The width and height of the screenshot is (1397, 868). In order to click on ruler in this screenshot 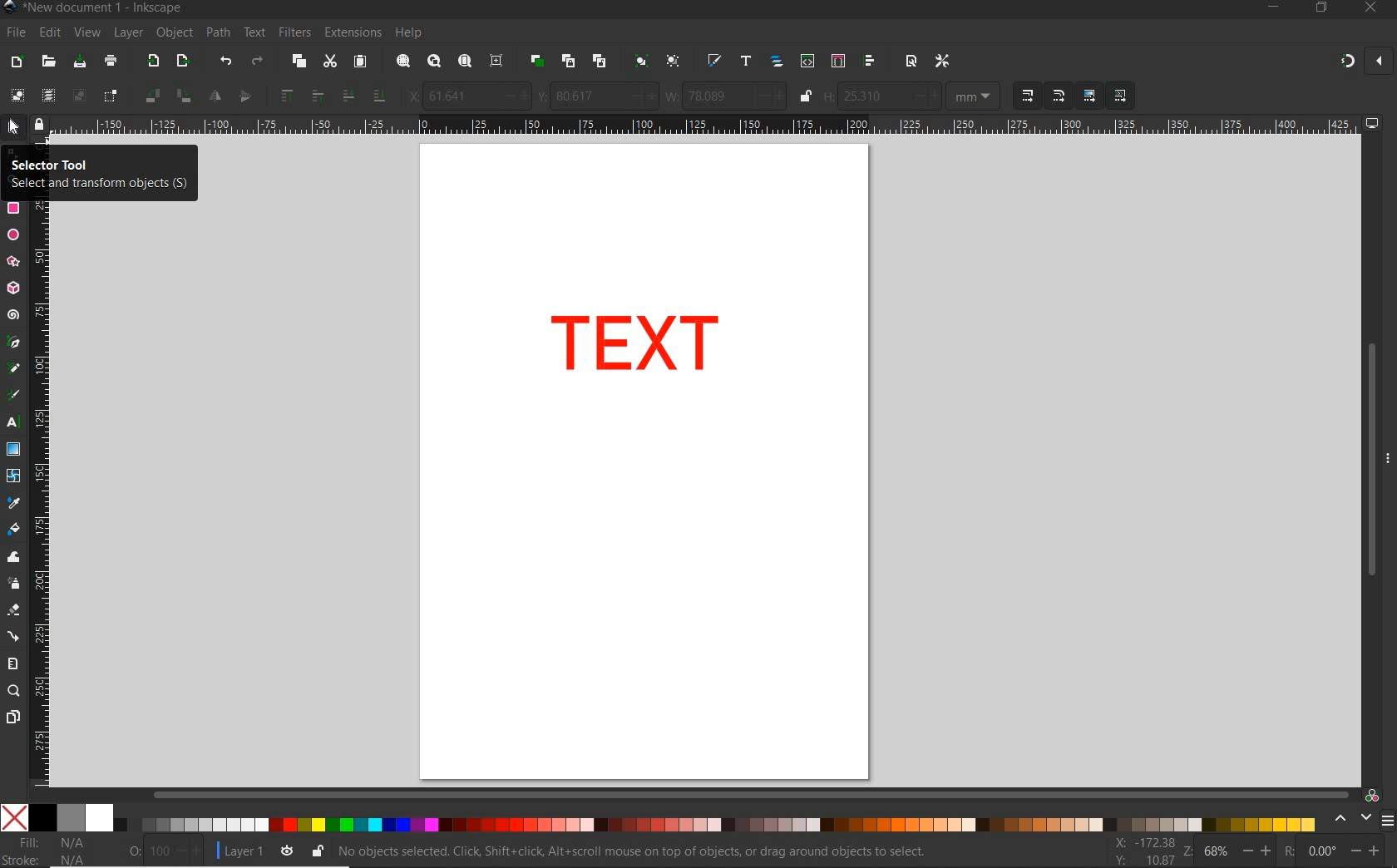, I will do `click(42, 496)`.